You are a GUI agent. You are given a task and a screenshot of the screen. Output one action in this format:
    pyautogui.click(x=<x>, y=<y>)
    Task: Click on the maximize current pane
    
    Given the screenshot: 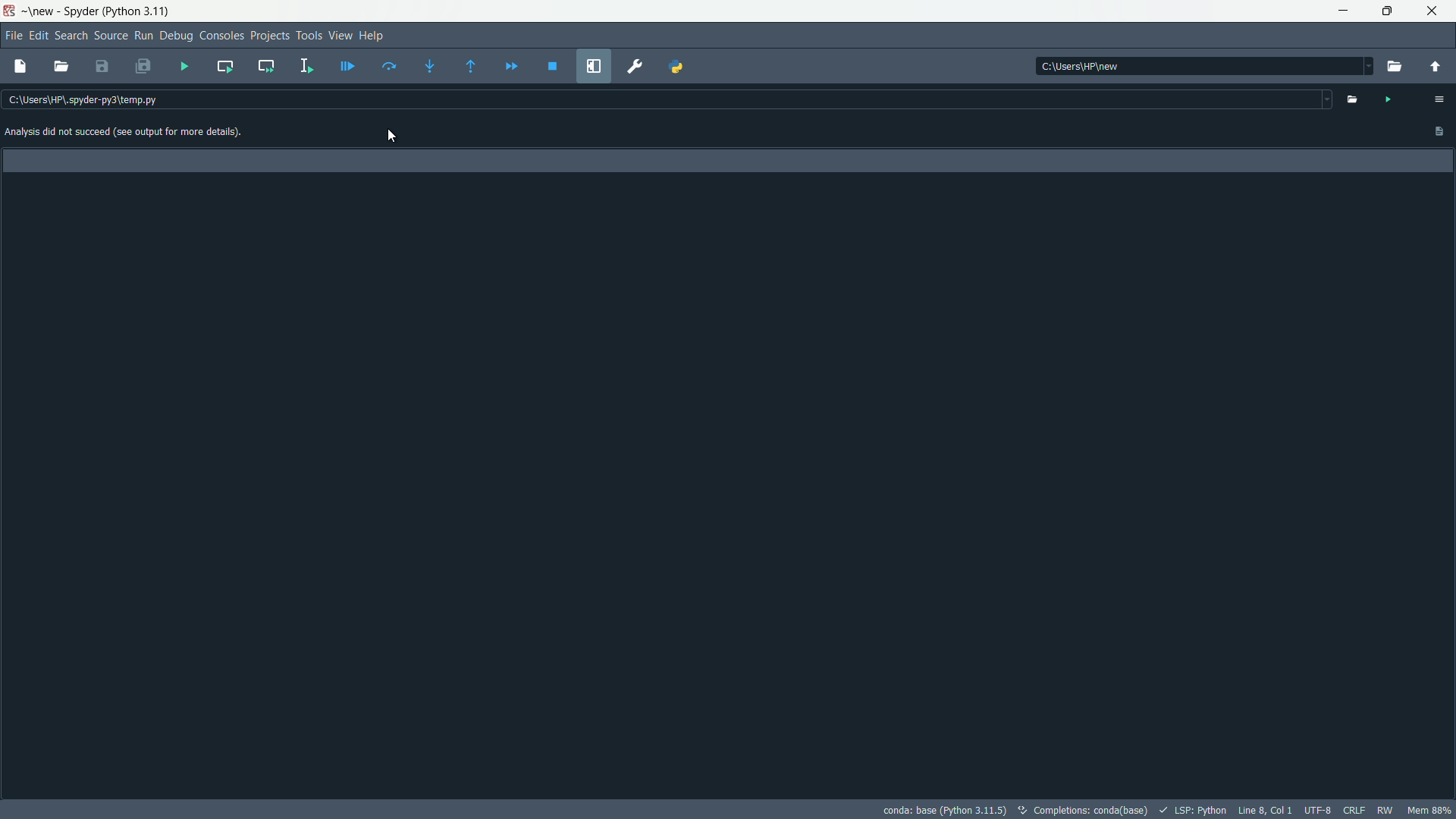 What is the action you would take?
    pyautogui.click(x=593, y=66)
    